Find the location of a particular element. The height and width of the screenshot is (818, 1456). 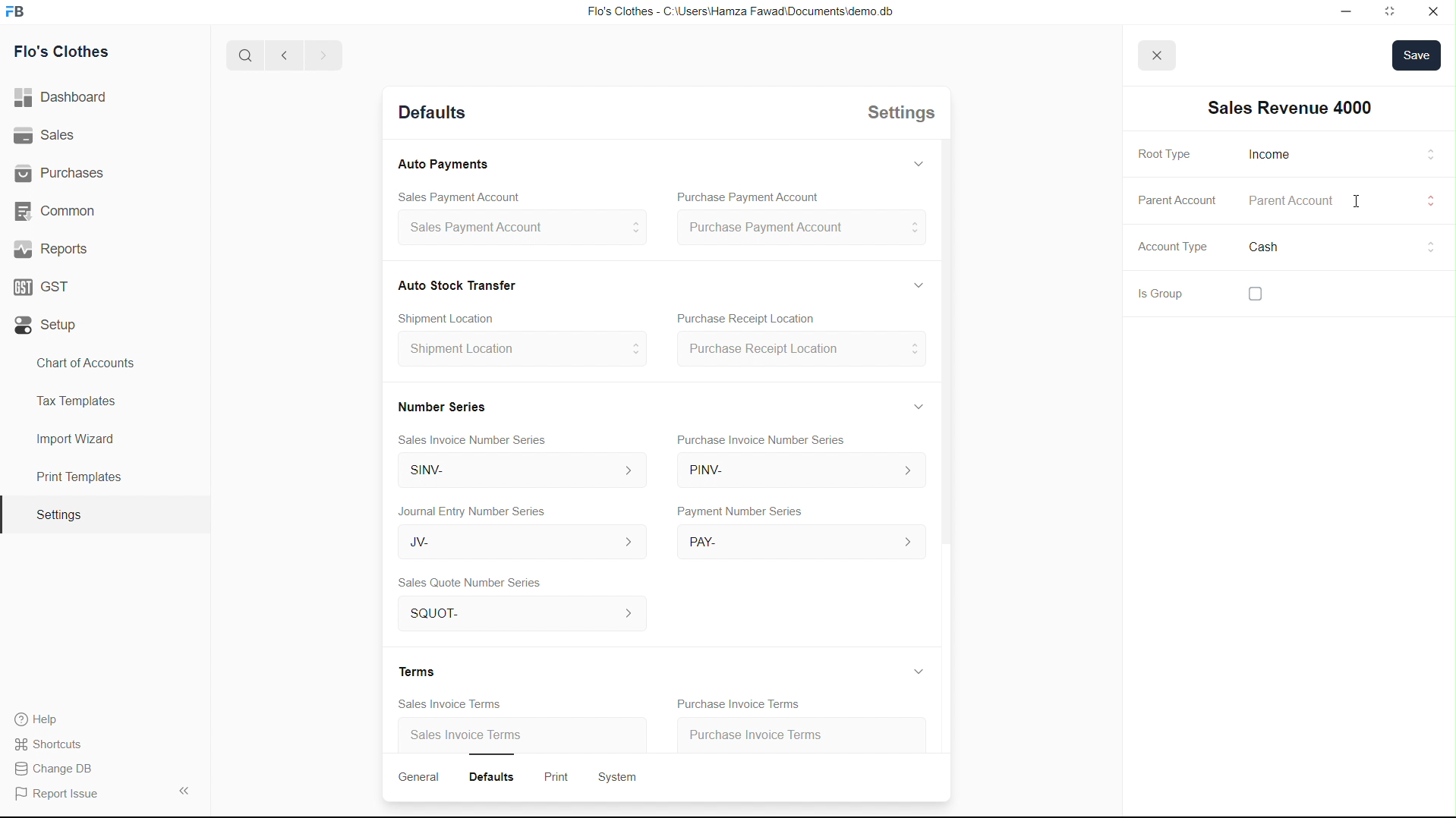

cursor is located at coordinates (1430, 244).